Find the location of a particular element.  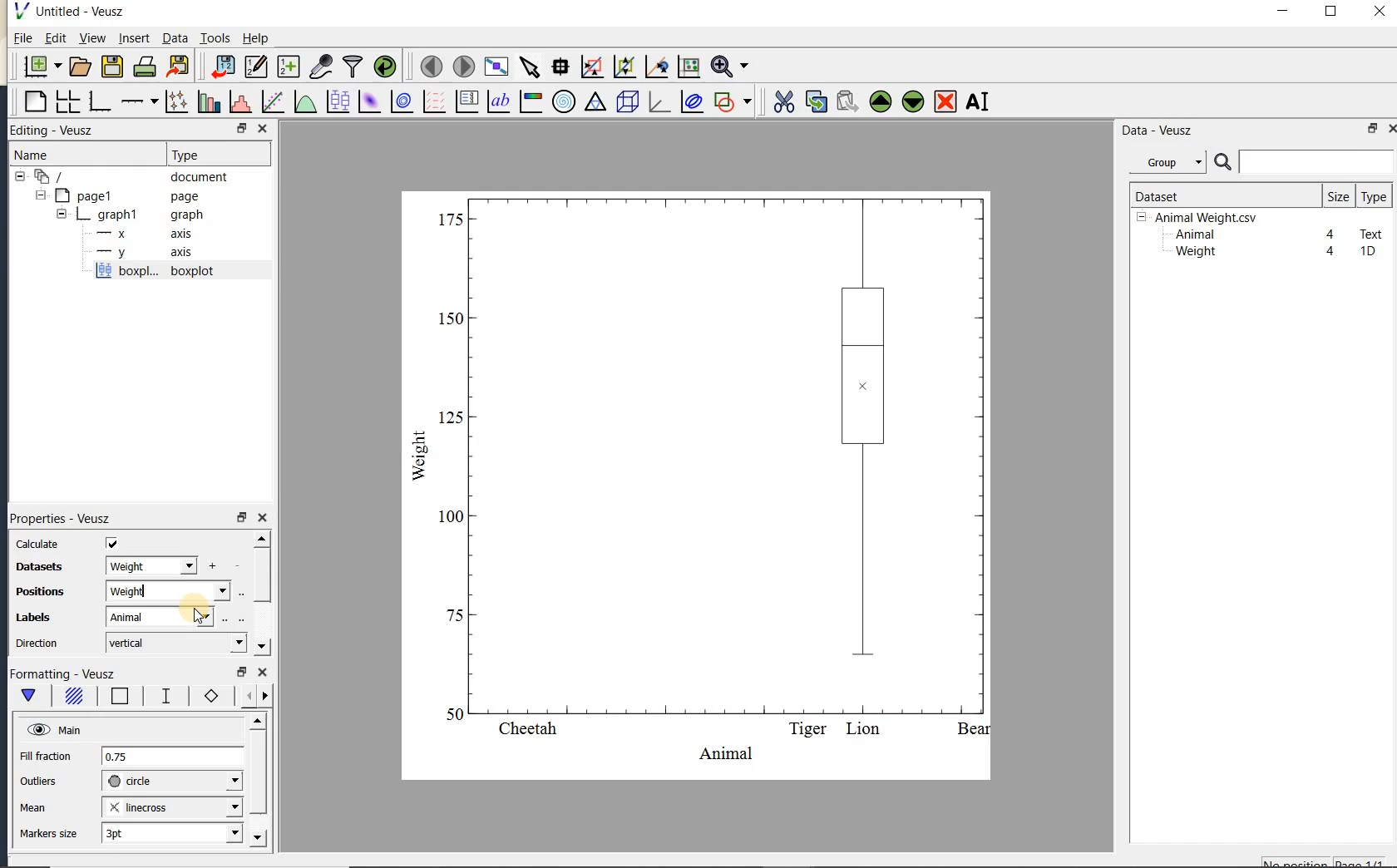

view plot full screen is located at coordinates (496, 67).